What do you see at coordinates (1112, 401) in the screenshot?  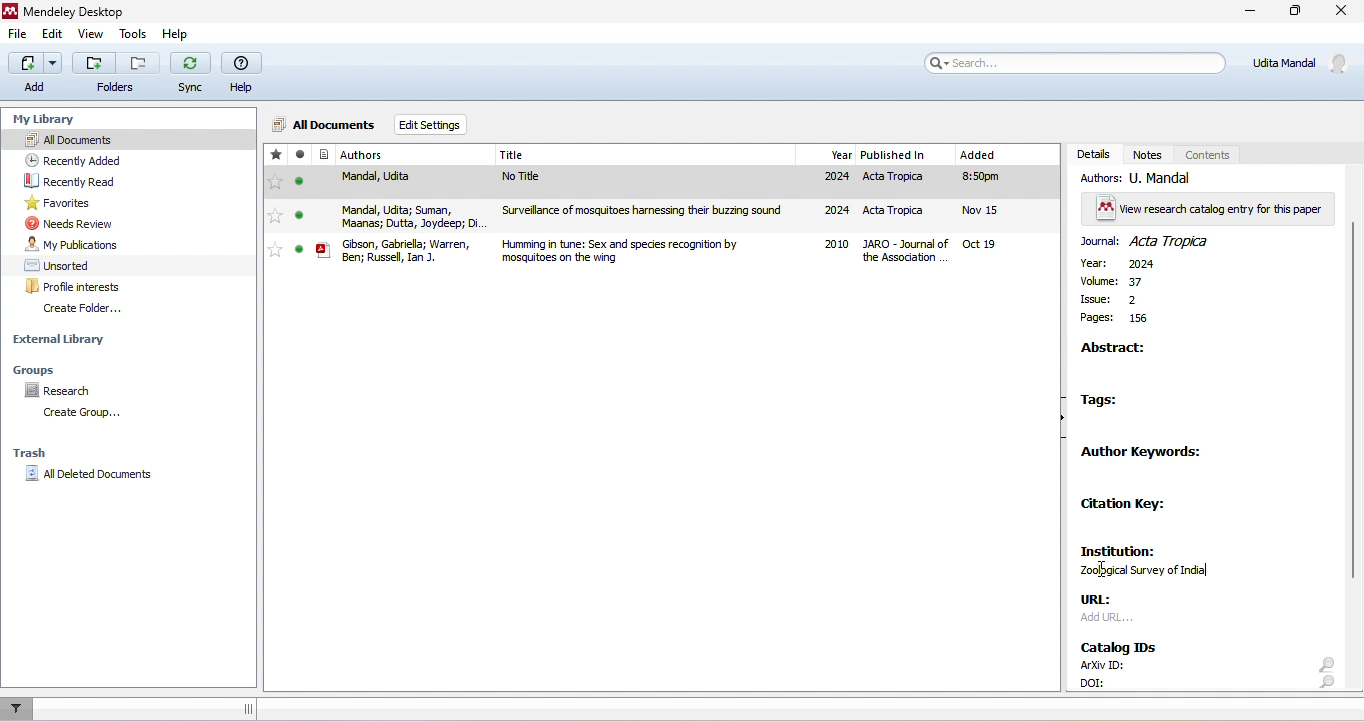 I see `tags` at bounding box center [1112, 401].